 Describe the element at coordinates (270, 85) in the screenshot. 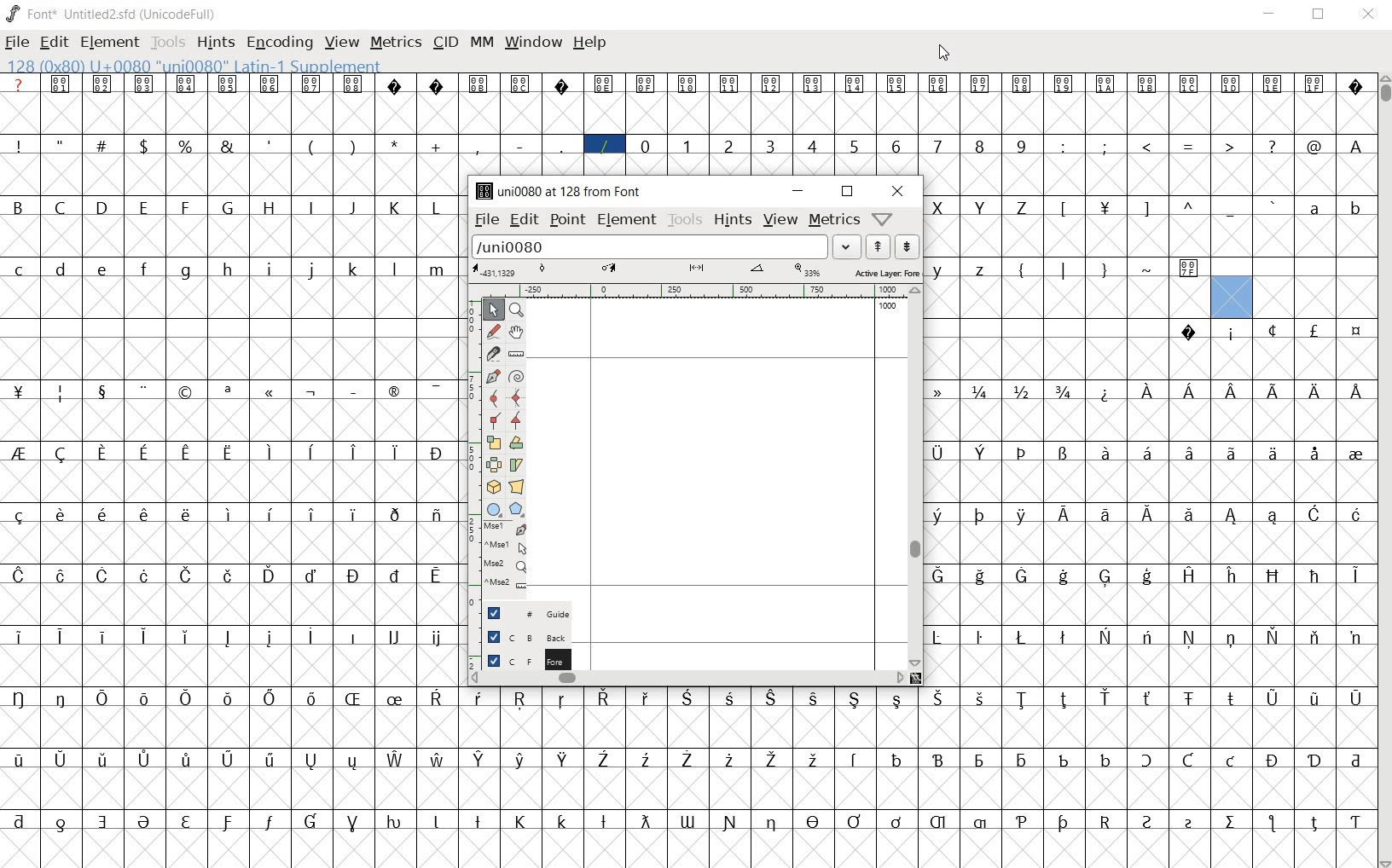

I see `glyph` at that location.